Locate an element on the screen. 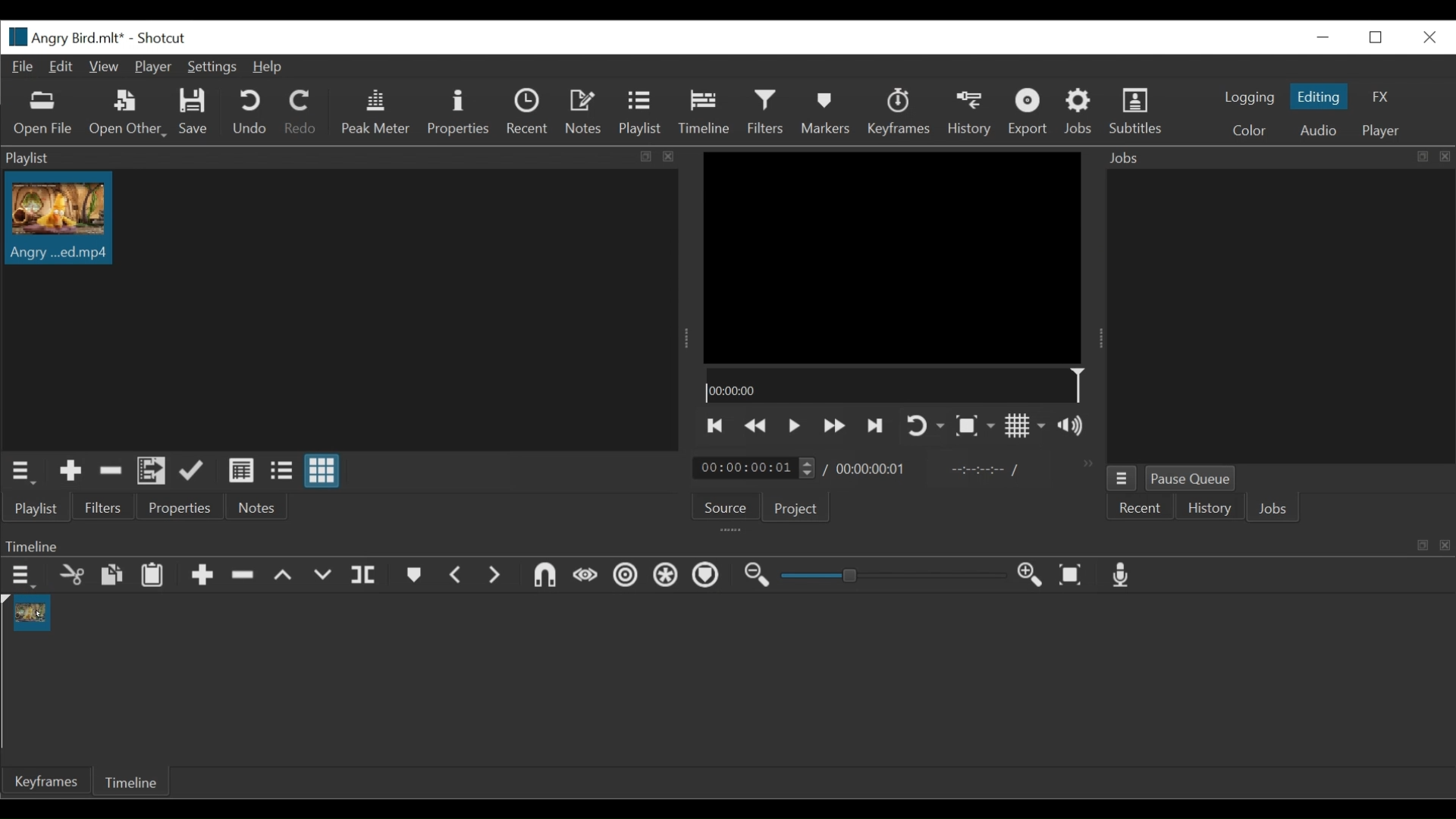 Image resolution: width=1456 pixels, height=819 pixels. Peak master is located at coordinates (377, 114).